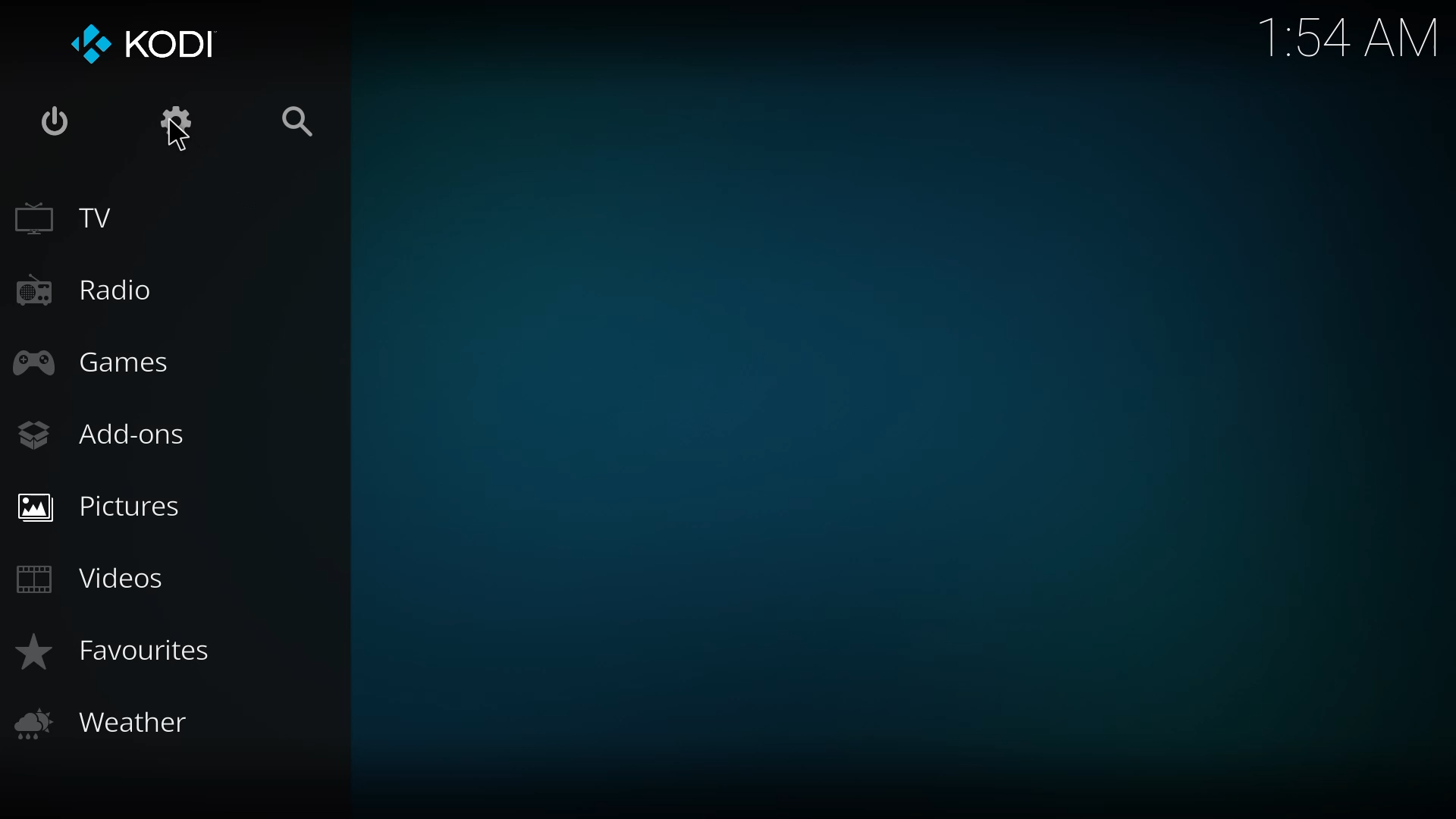 The height and width of the screenshot is (819, 1456). What do you see at coordinates (94, 359) in the screenshot?
I see `games` at bounding box center [94, 359].